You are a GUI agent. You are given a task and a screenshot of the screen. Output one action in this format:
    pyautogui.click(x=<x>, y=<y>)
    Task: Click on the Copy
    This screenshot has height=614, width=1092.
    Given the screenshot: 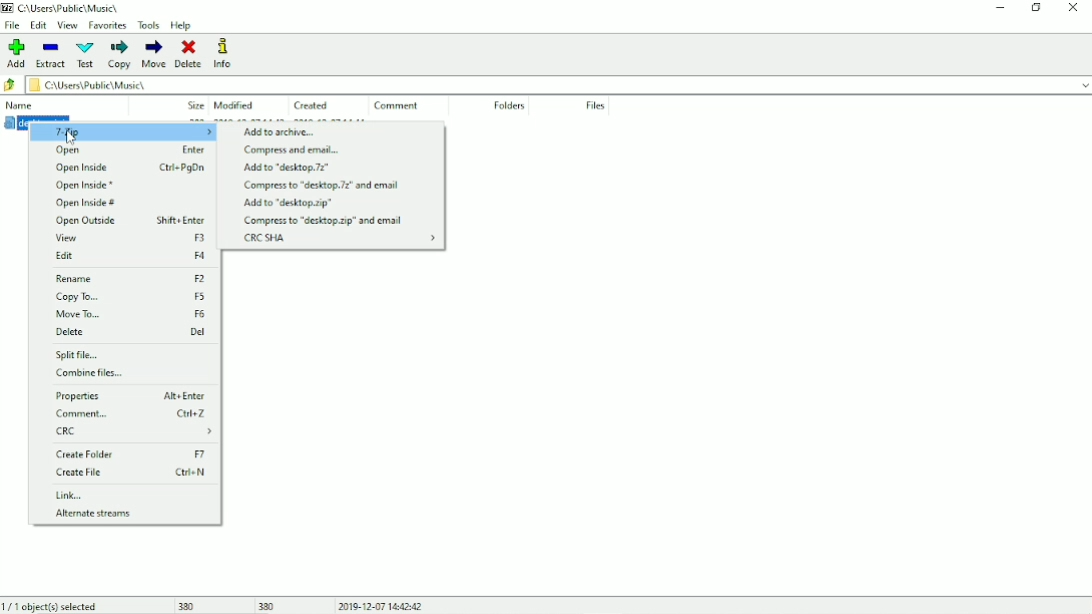 What is the action you would take?
    pyautogui.click(x=121, y=55)
    